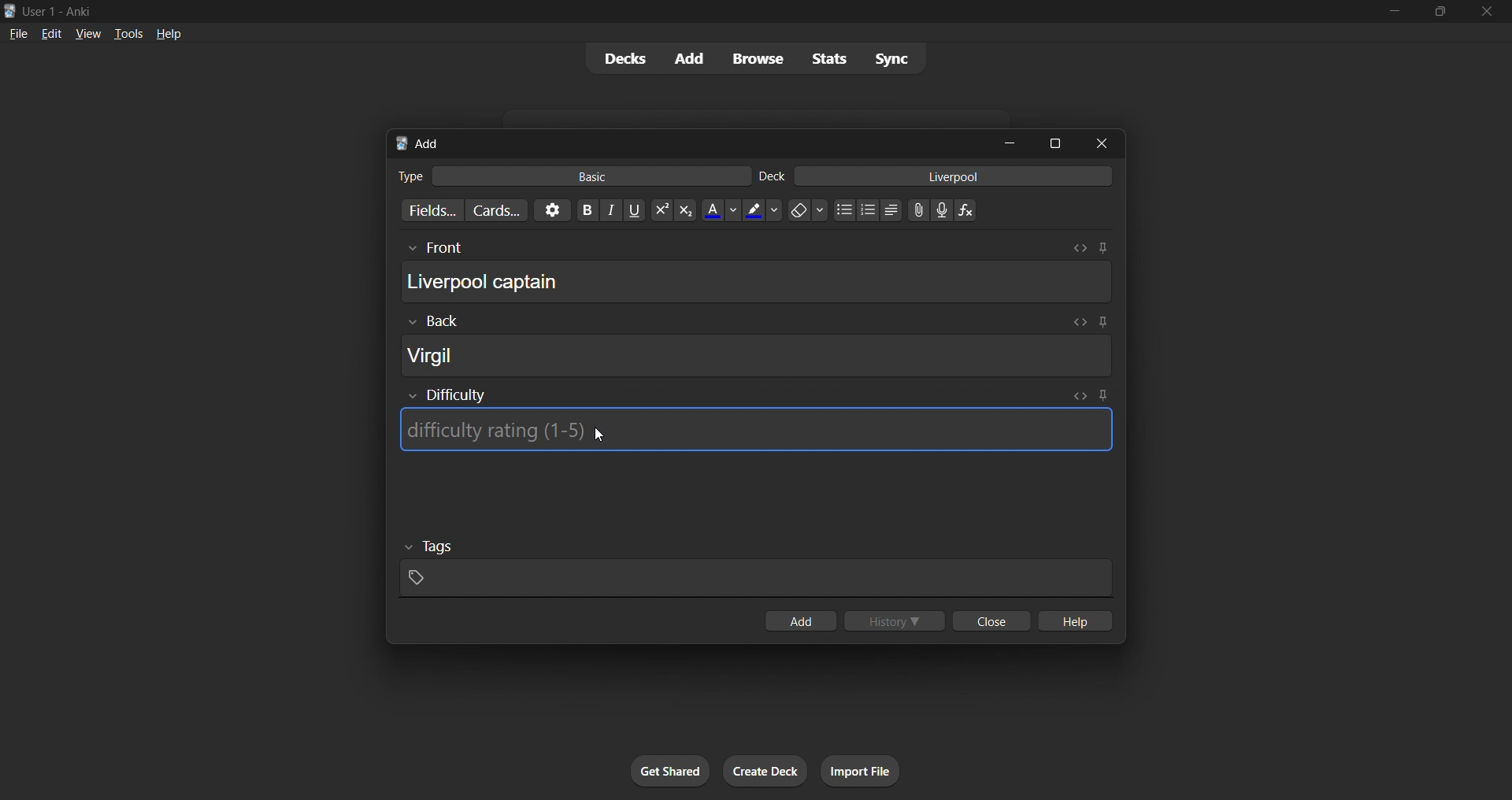  Describe the element at coordinates (670, 771) in the screenshot. I see `get shared` at that location.